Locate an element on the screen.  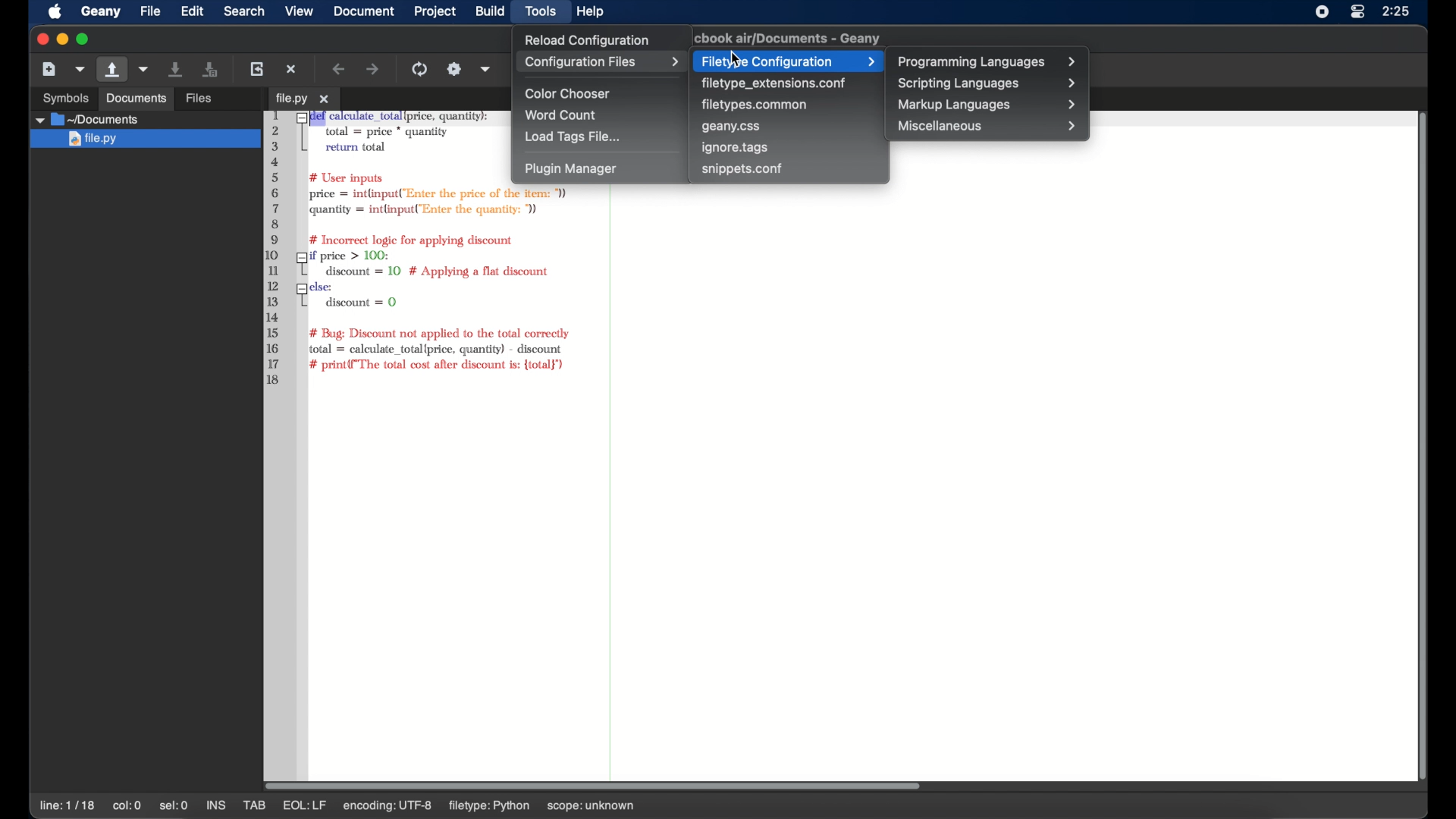
compile the current file is located at coordinates (422, 69).